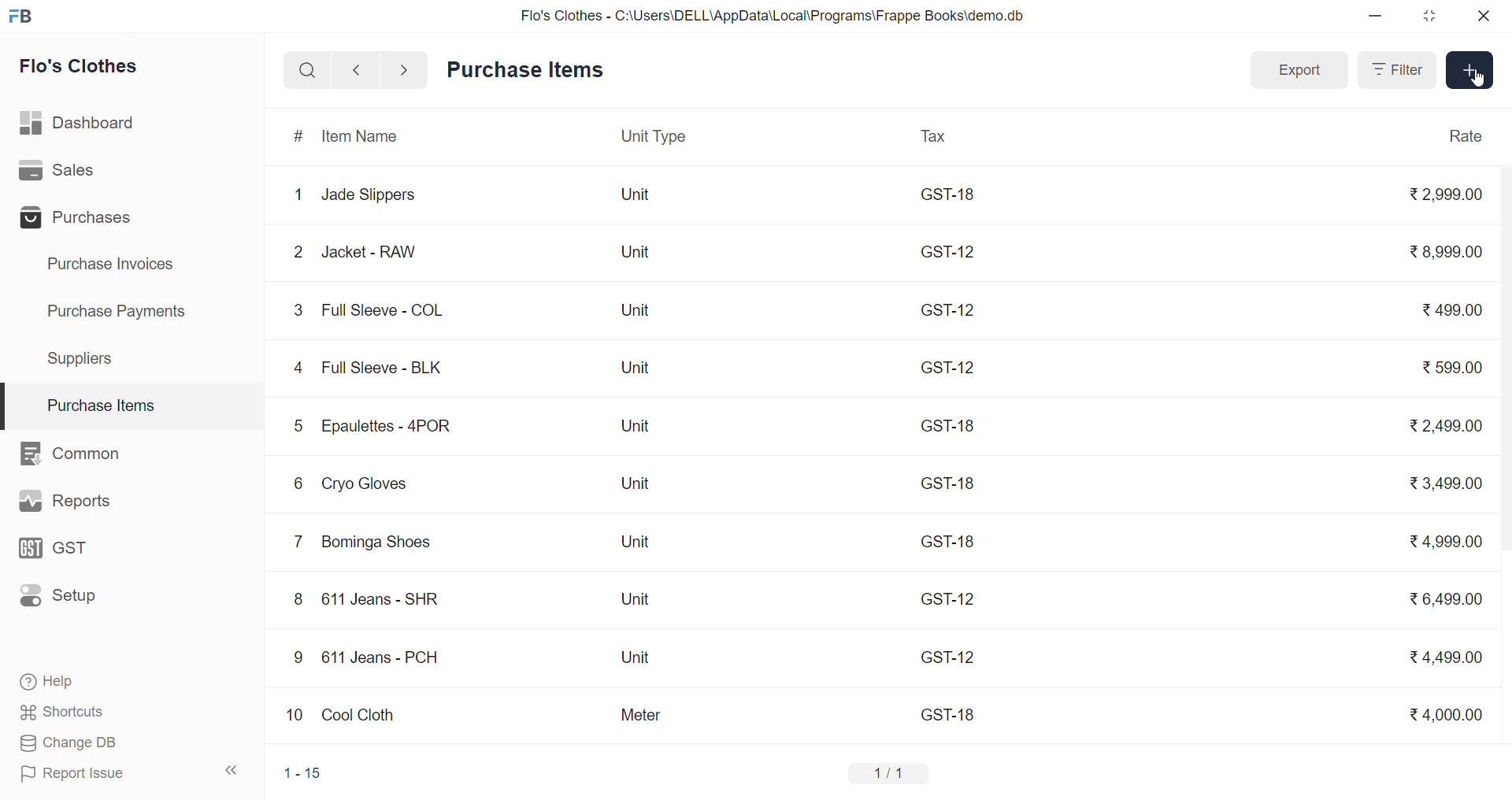 The width and height of the screenshot is (1512, 800). I want to click on 9, so click(298, 659).